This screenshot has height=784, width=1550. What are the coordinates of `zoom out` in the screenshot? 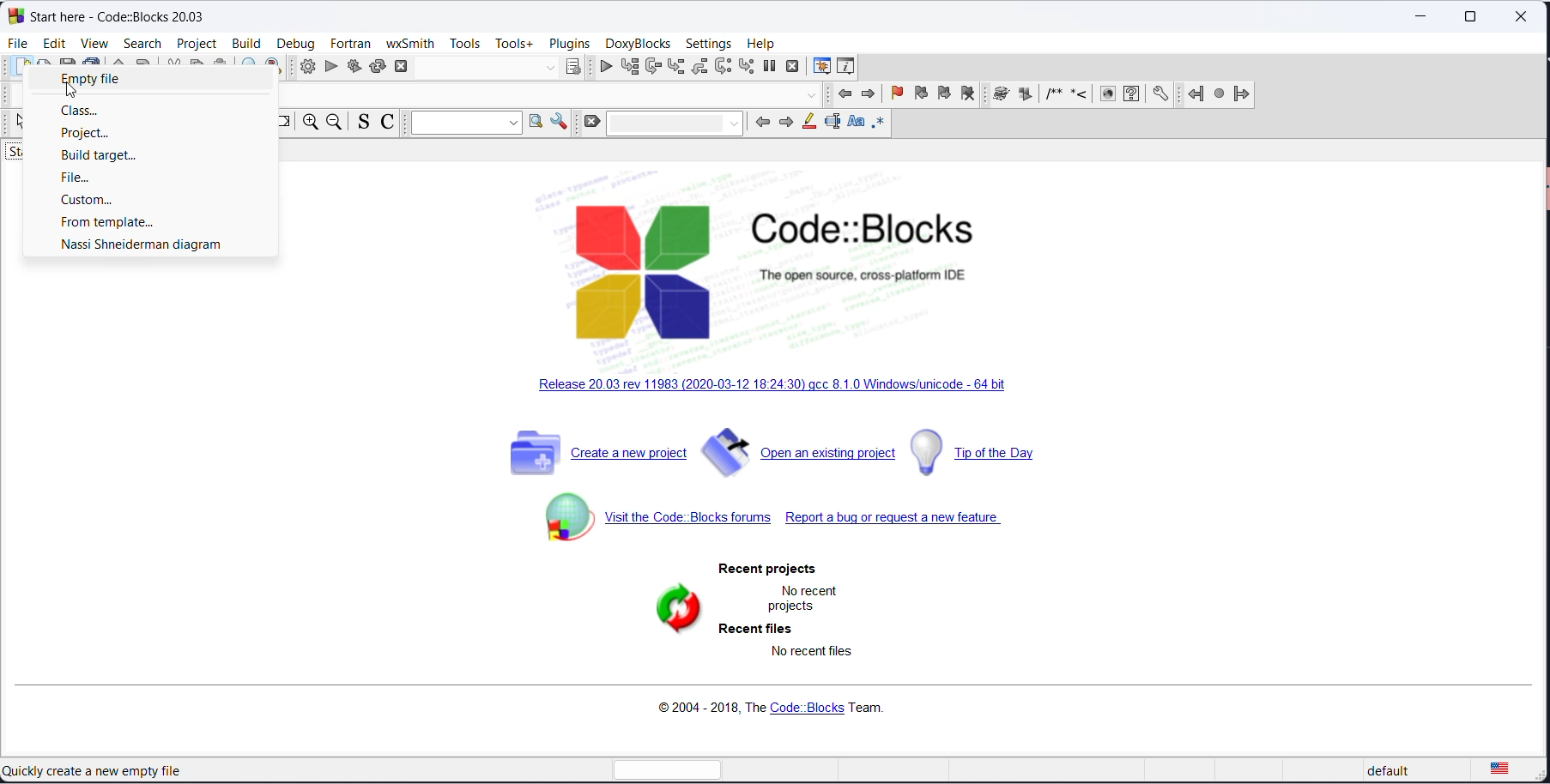 It's located at (334, 123).